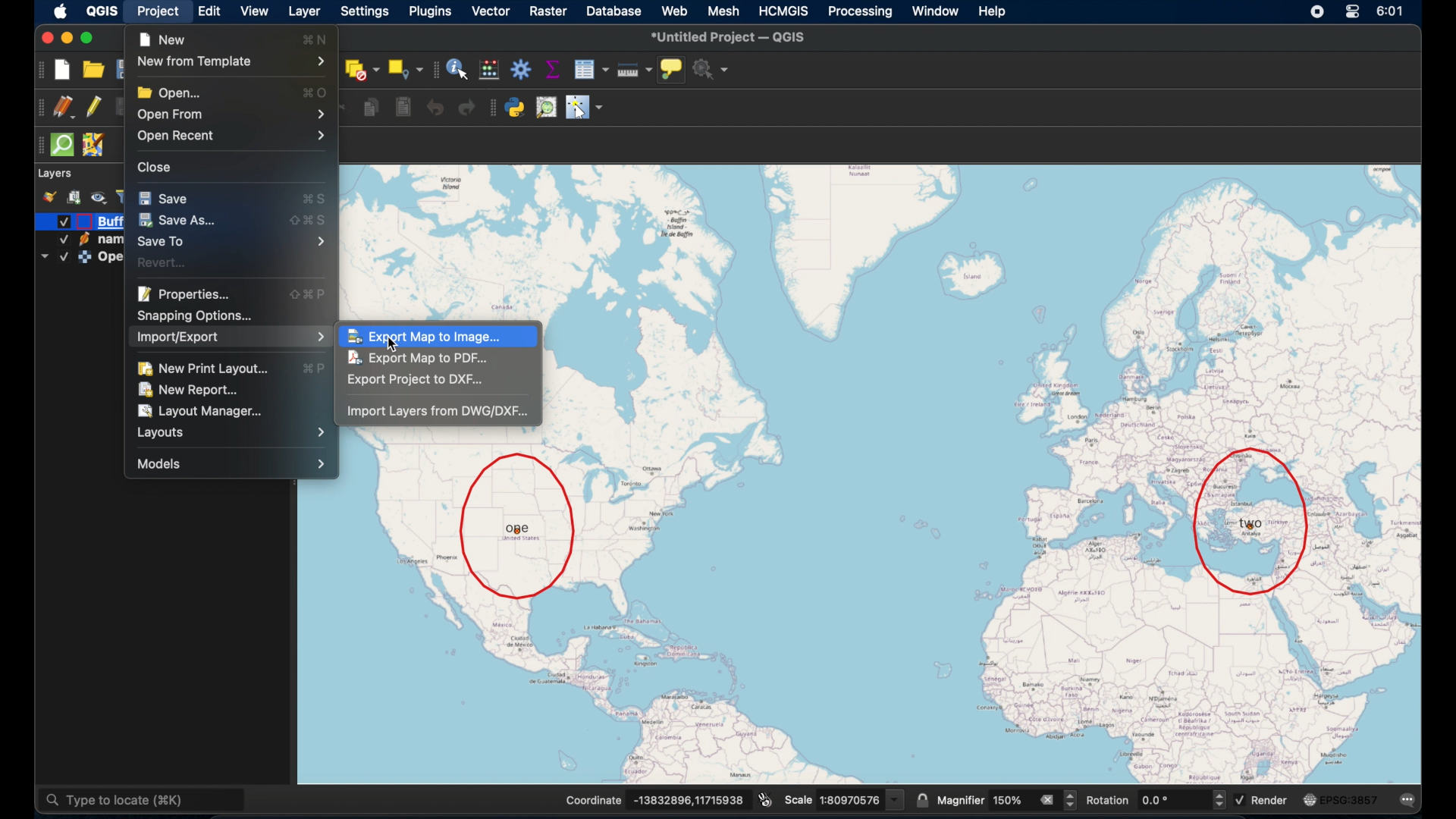 This screenshot has width=1456, height=819. I want to click on control center, so click(1353, 11).